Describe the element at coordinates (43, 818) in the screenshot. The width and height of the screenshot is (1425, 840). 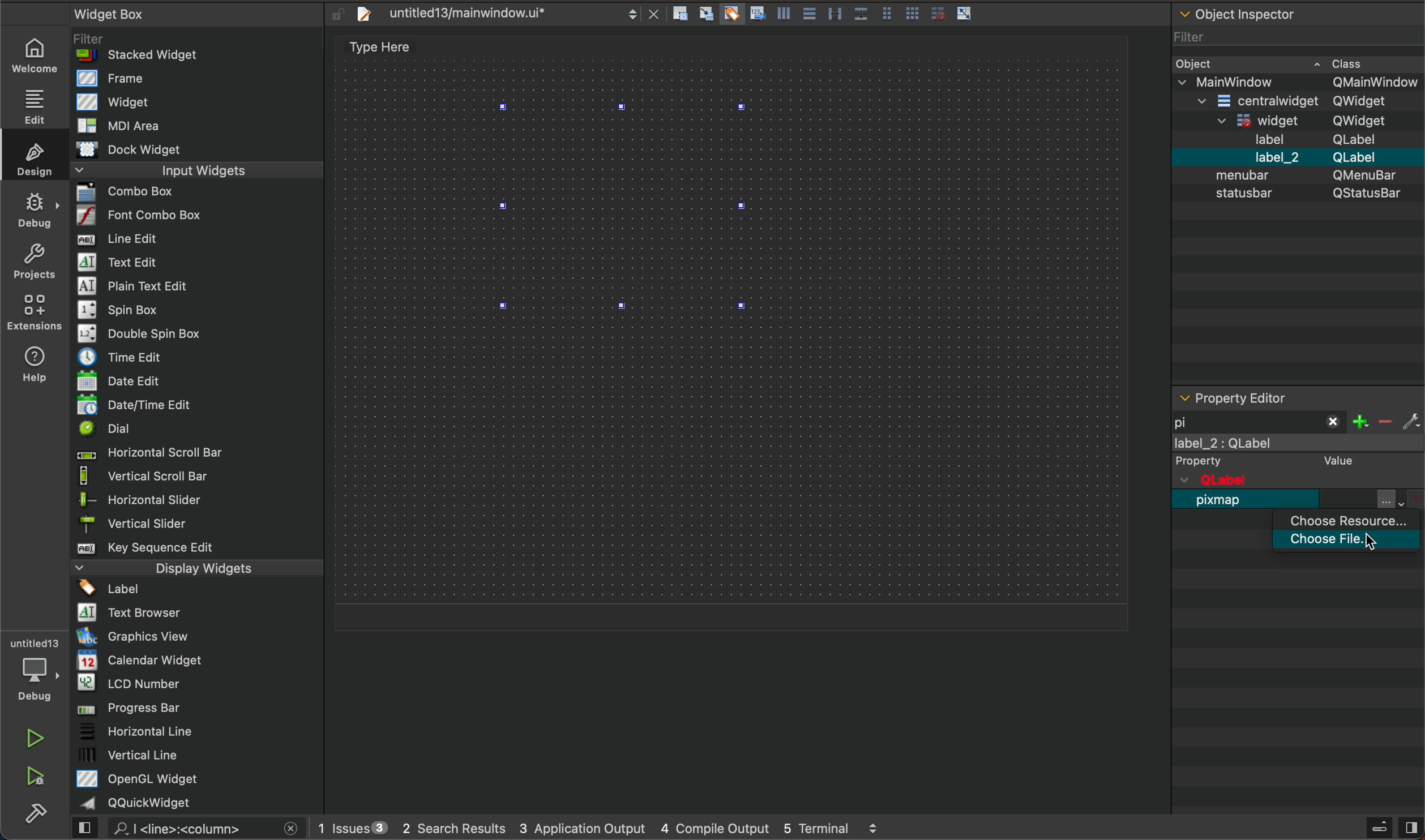
I see `build` at that location.